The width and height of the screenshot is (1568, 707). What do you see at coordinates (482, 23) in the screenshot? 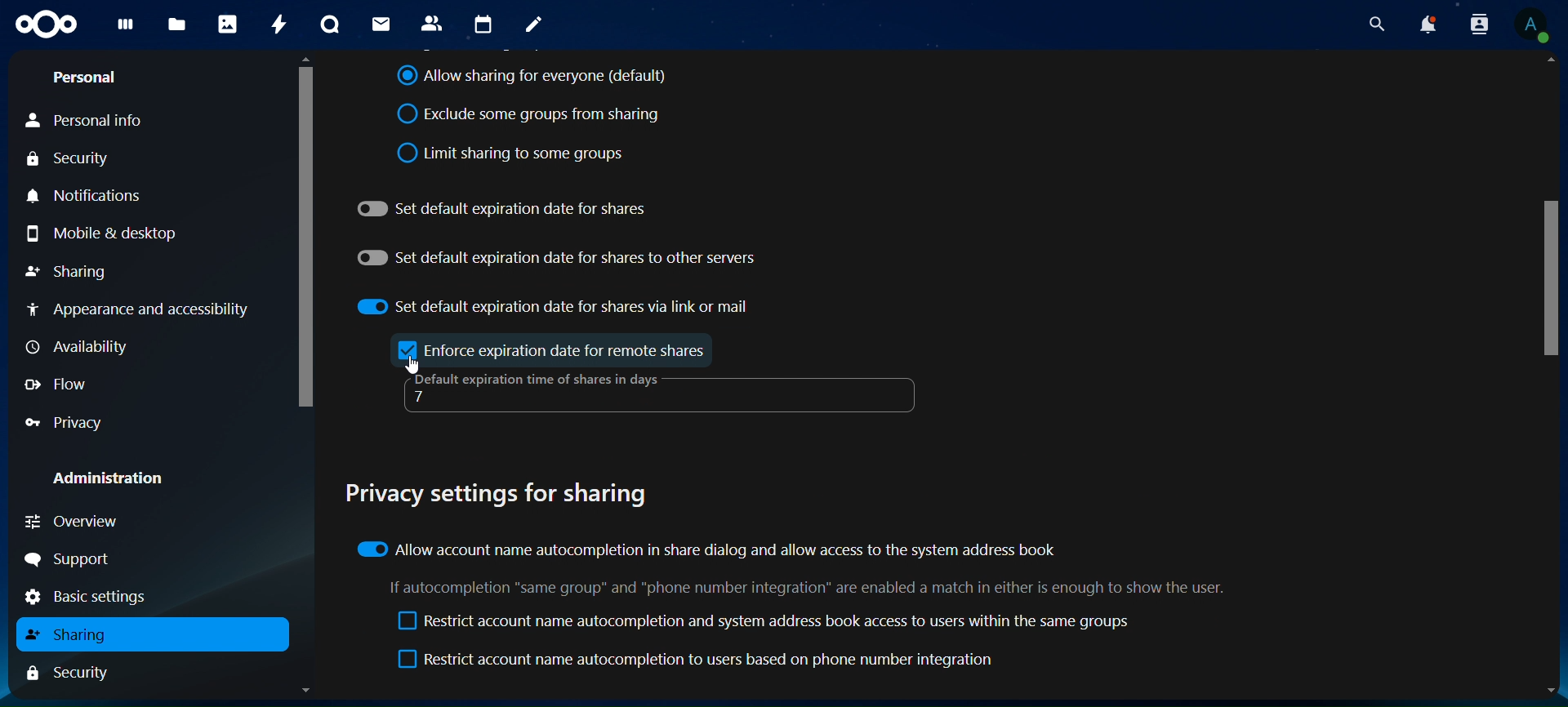
I see `calendar` at bounding box center [482, 23].